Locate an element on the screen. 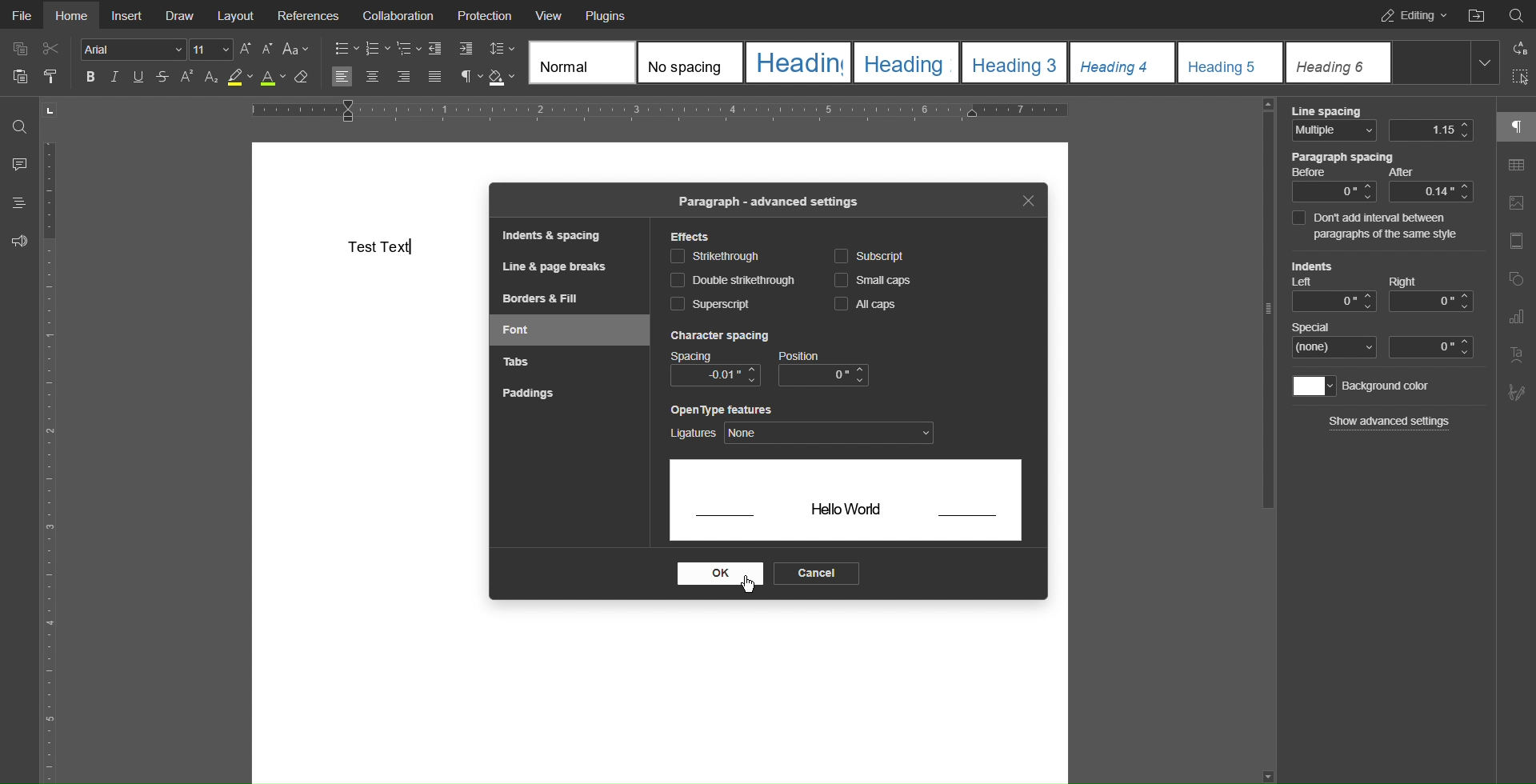  Signature is located at coordinates (1514, 393).